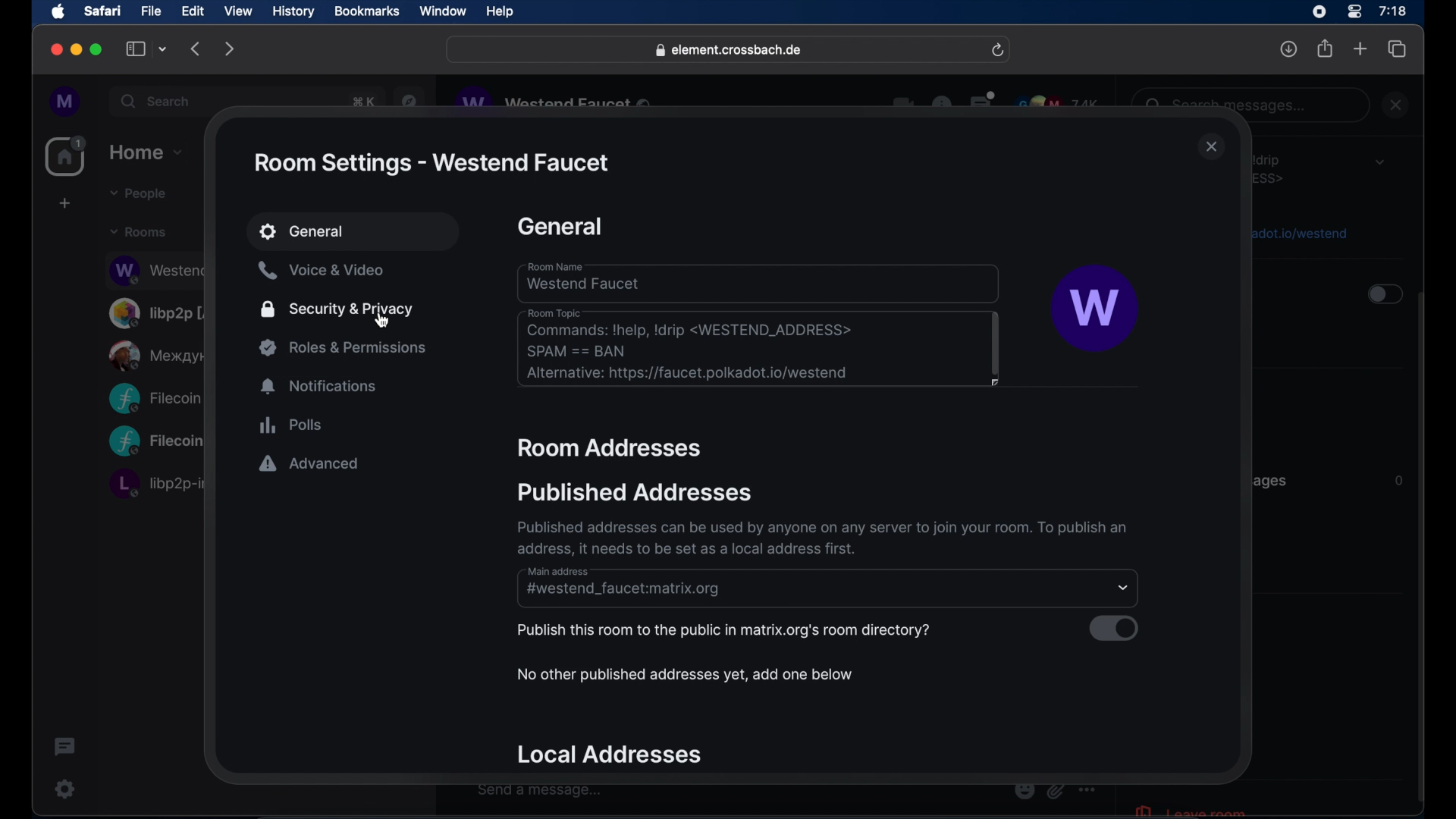 The image size is (1456, 819). I want to click on general, so click(560, 227).